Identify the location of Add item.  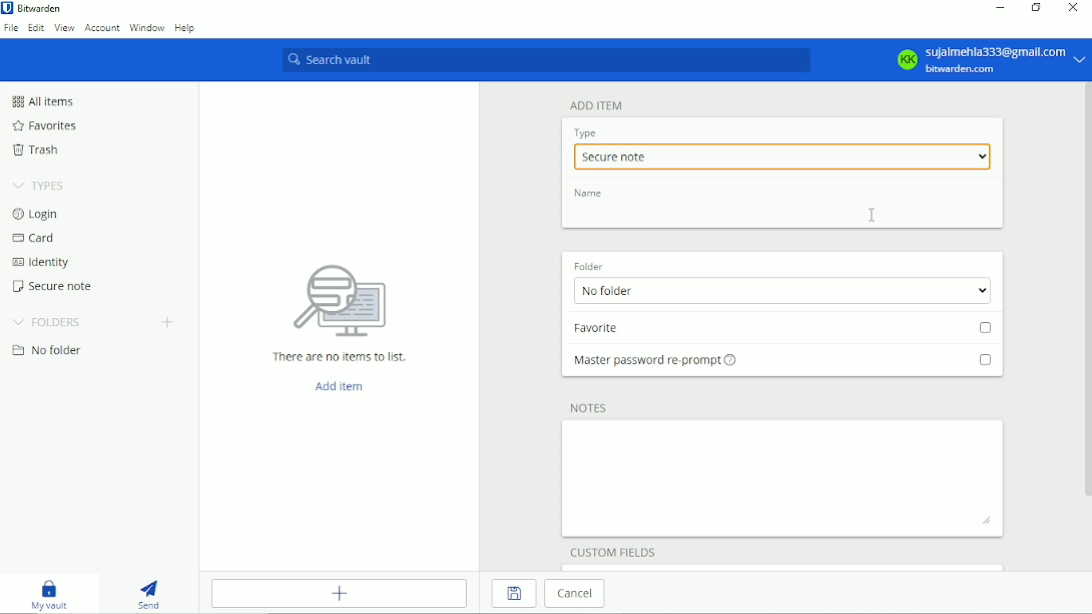
(337, 385).